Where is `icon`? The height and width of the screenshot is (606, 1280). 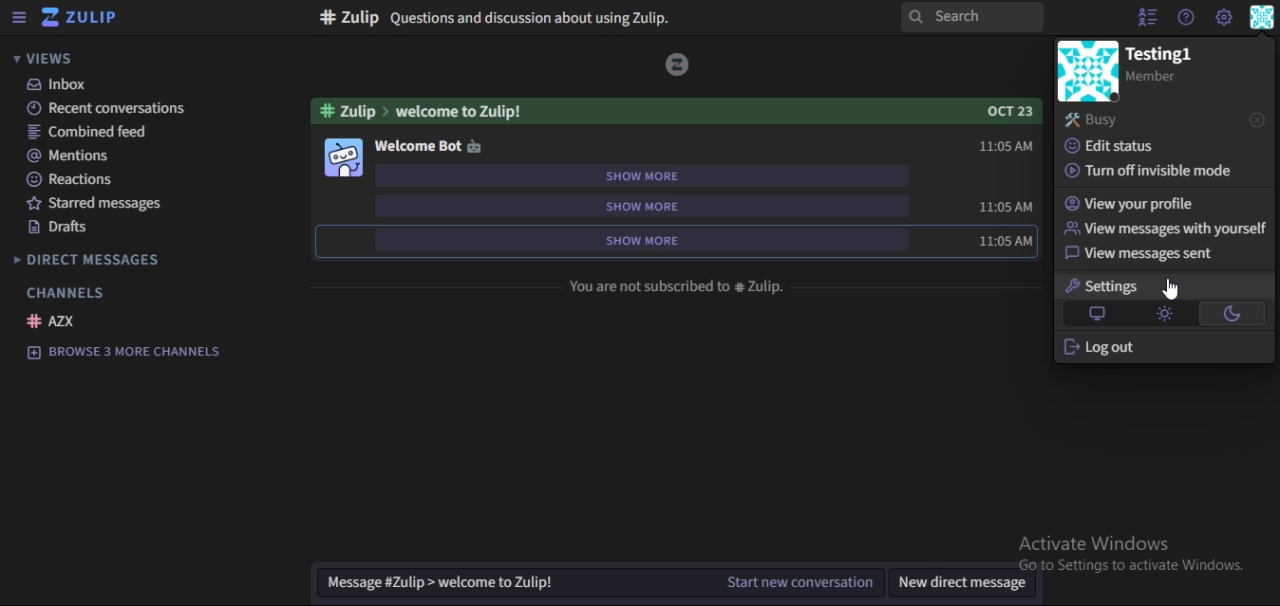 icon is located at coordinates (81, 19).